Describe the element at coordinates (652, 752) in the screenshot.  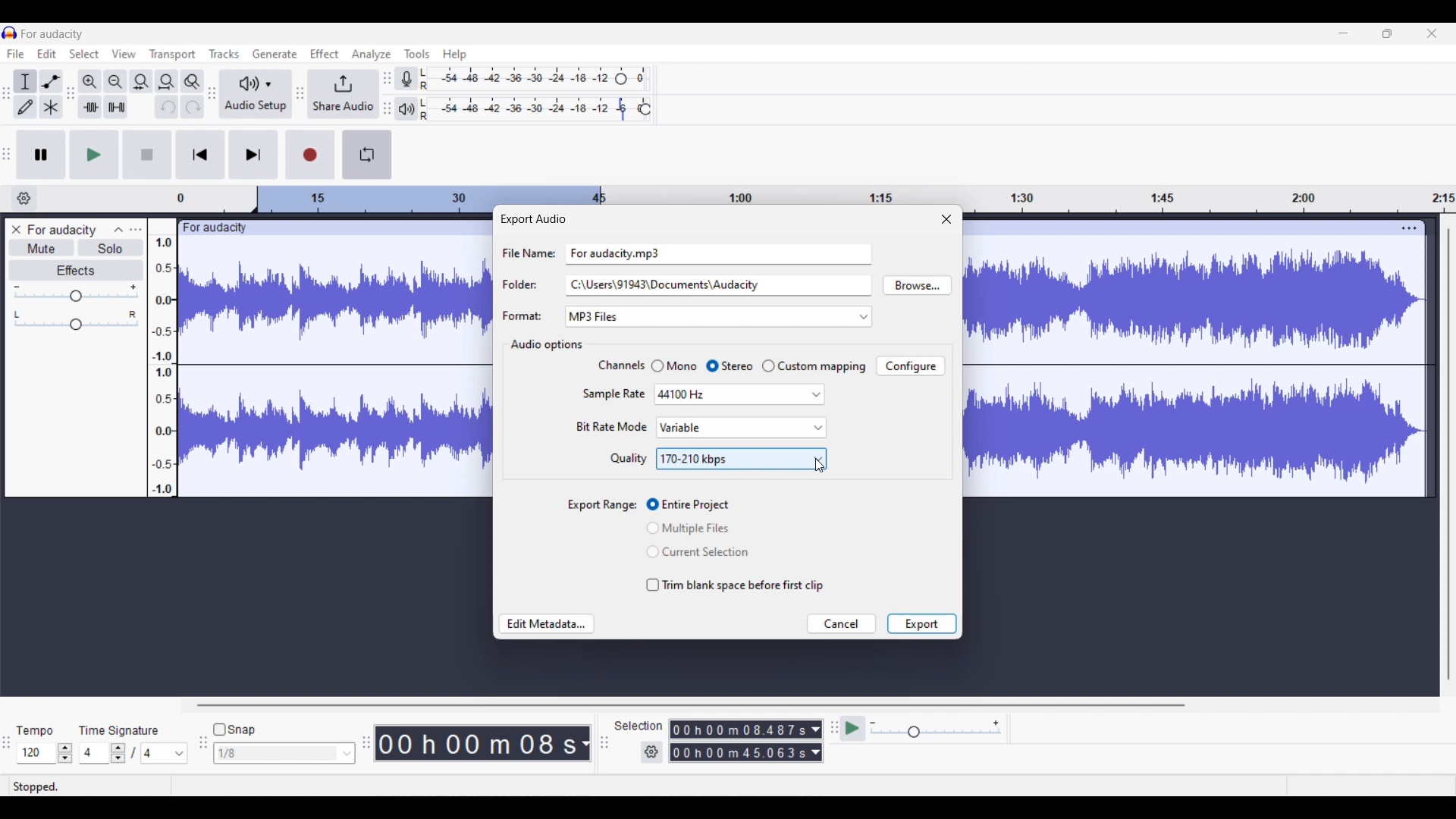
I see `Selection settings` at that location.